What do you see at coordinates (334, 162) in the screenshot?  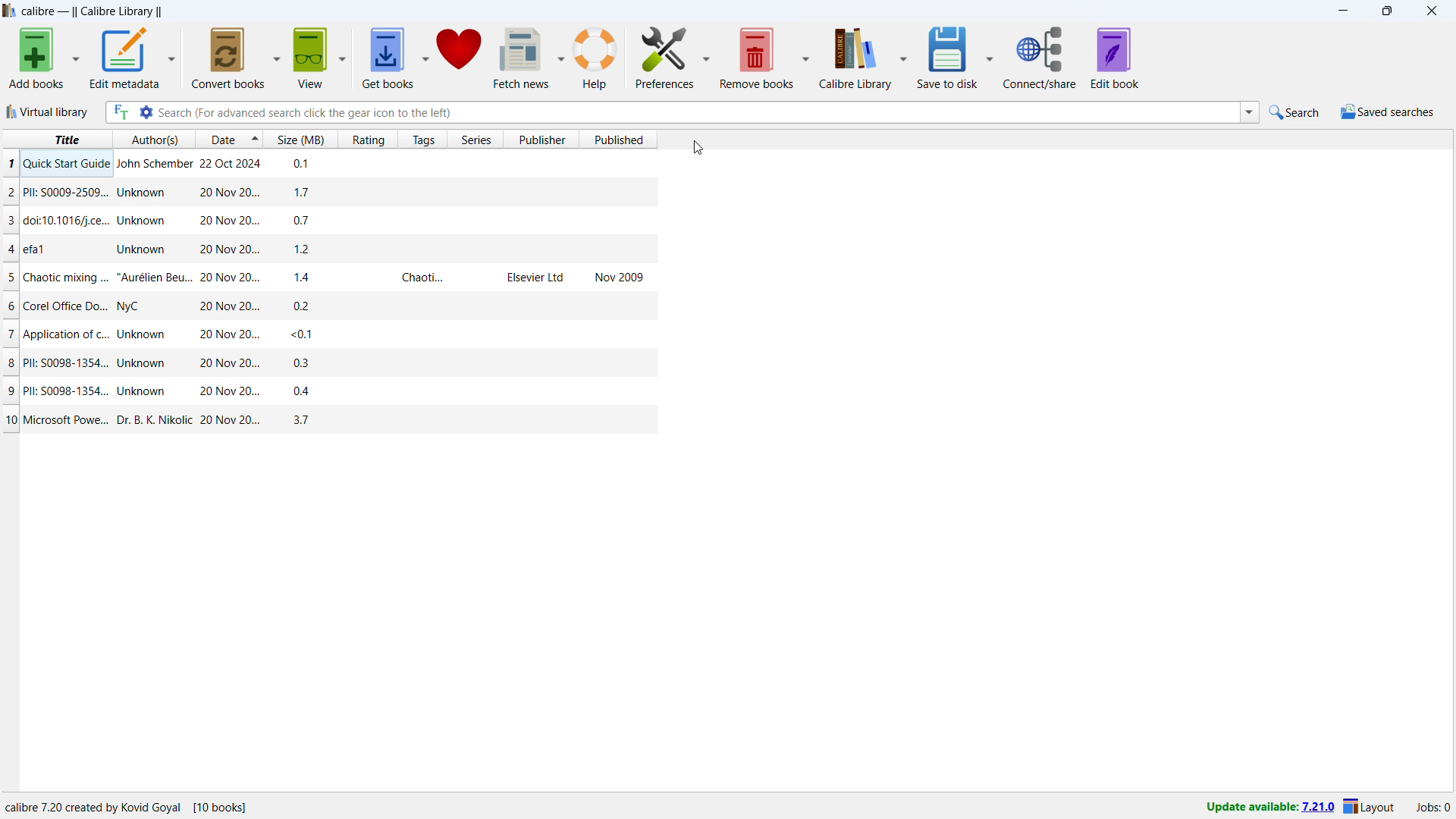 I see `1 Ouick Start Guide lohn Schember 22 Oct 2024 n1` at bounding box center [334, 162].